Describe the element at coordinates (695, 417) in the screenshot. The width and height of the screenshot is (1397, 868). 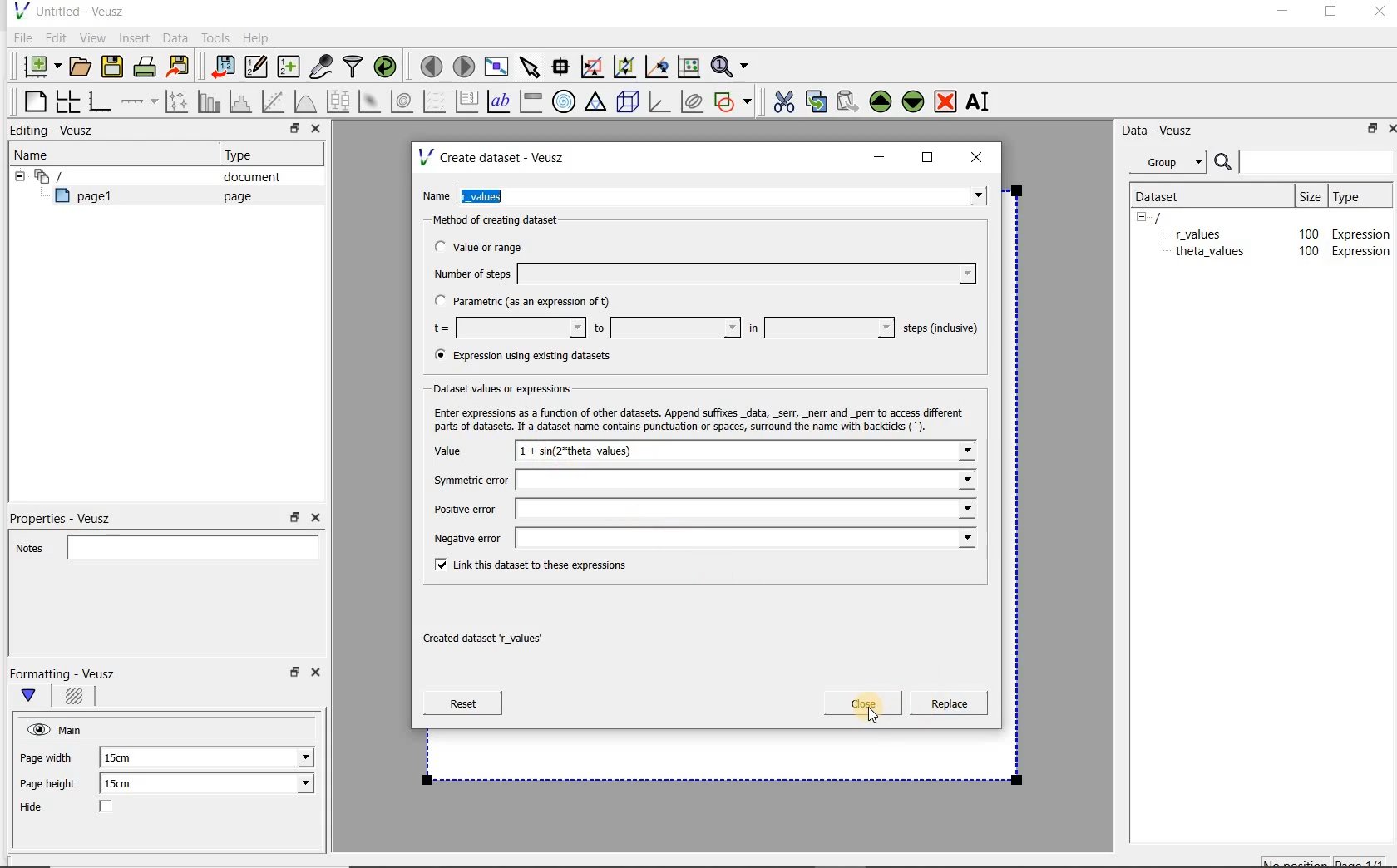
I see `Enter expressions as a function of other datasets. Append suffixes _data, _serr, _nerr and _perr to access different
parts of datasets. If a dataset name contains punctuation or spaces, surround the name with backticks (*).` at that location.